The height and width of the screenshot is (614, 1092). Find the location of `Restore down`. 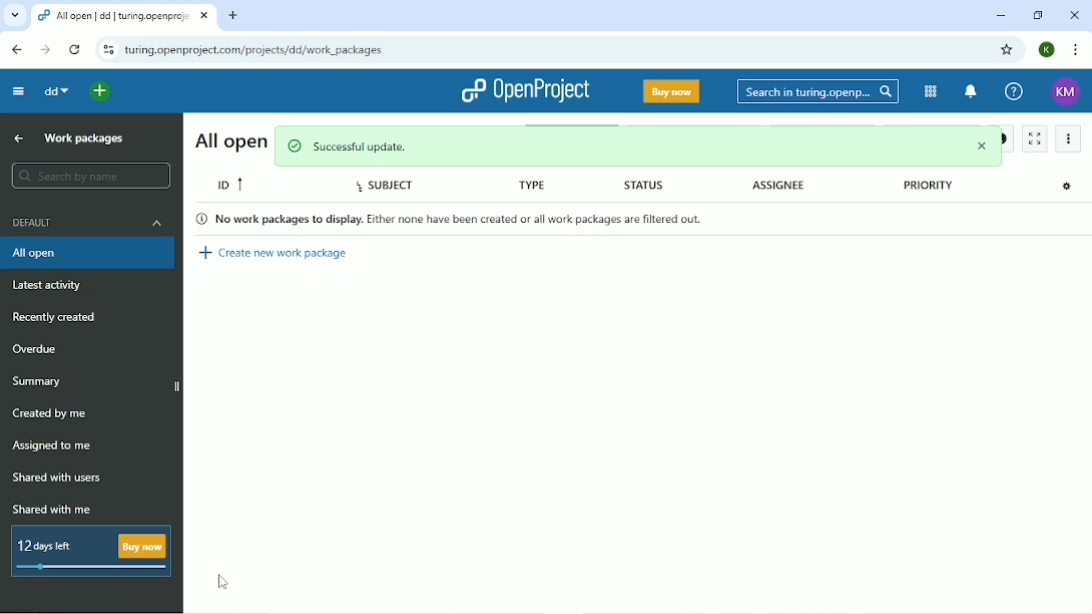

Restore down is located at coordinates (1036, 15).